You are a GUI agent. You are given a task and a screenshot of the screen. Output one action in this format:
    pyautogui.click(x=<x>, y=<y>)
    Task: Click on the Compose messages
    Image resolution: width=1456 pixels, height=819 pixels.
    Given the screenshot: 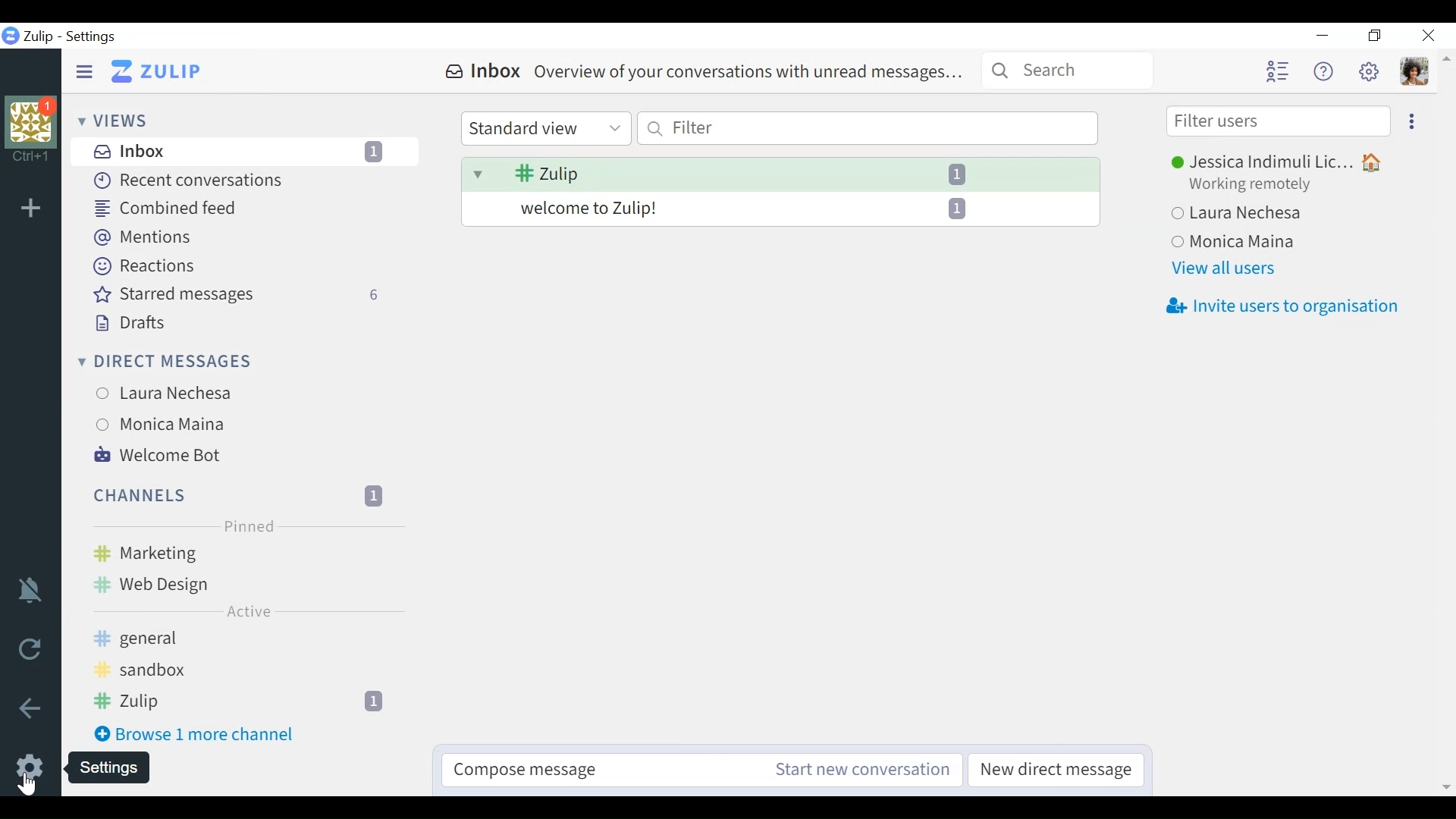 What is the action you would take?
    pyautogui.click(x=580, y=770)
    